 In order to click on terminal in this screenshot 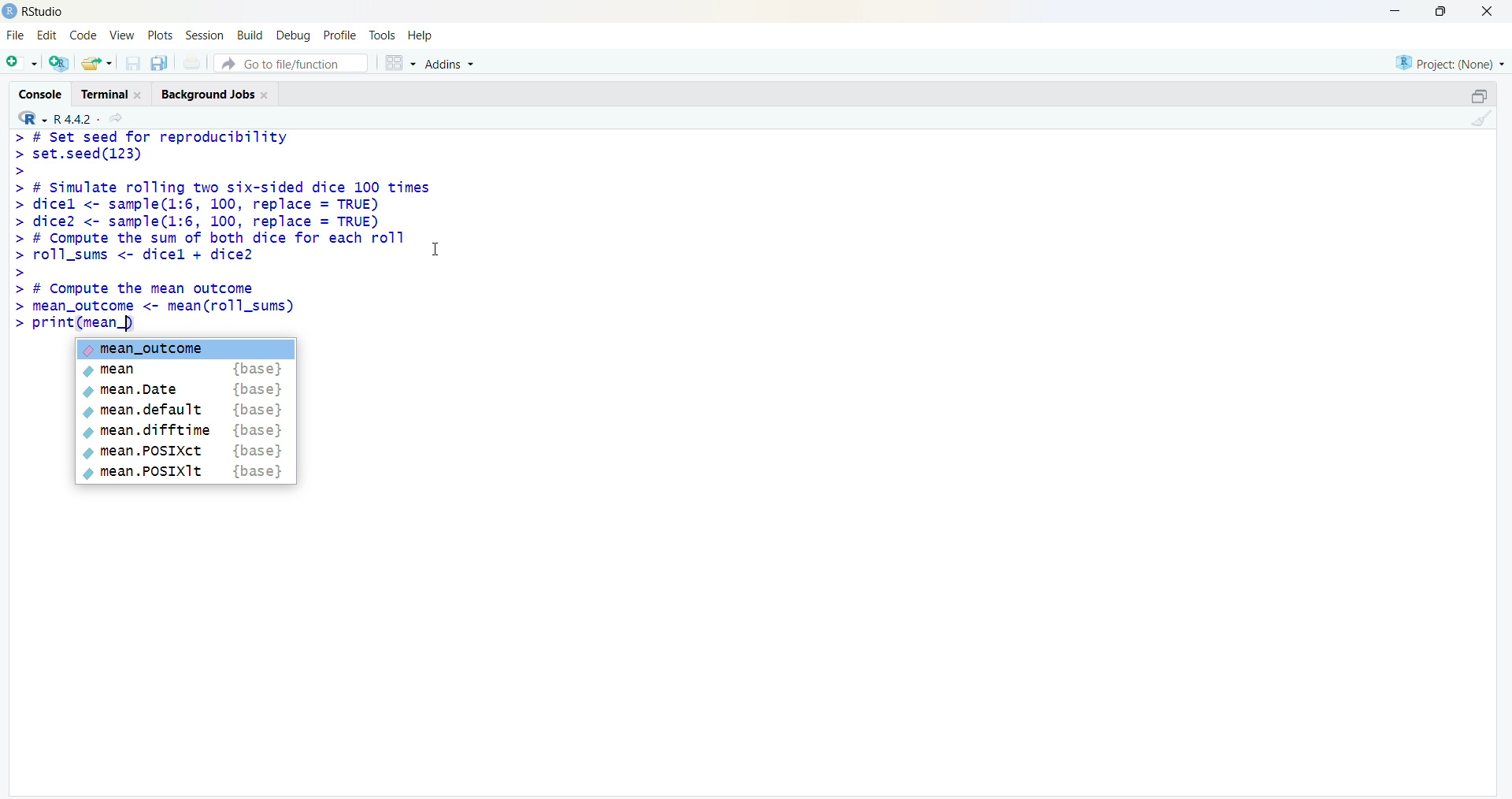, I will do `click(104, 95)`.